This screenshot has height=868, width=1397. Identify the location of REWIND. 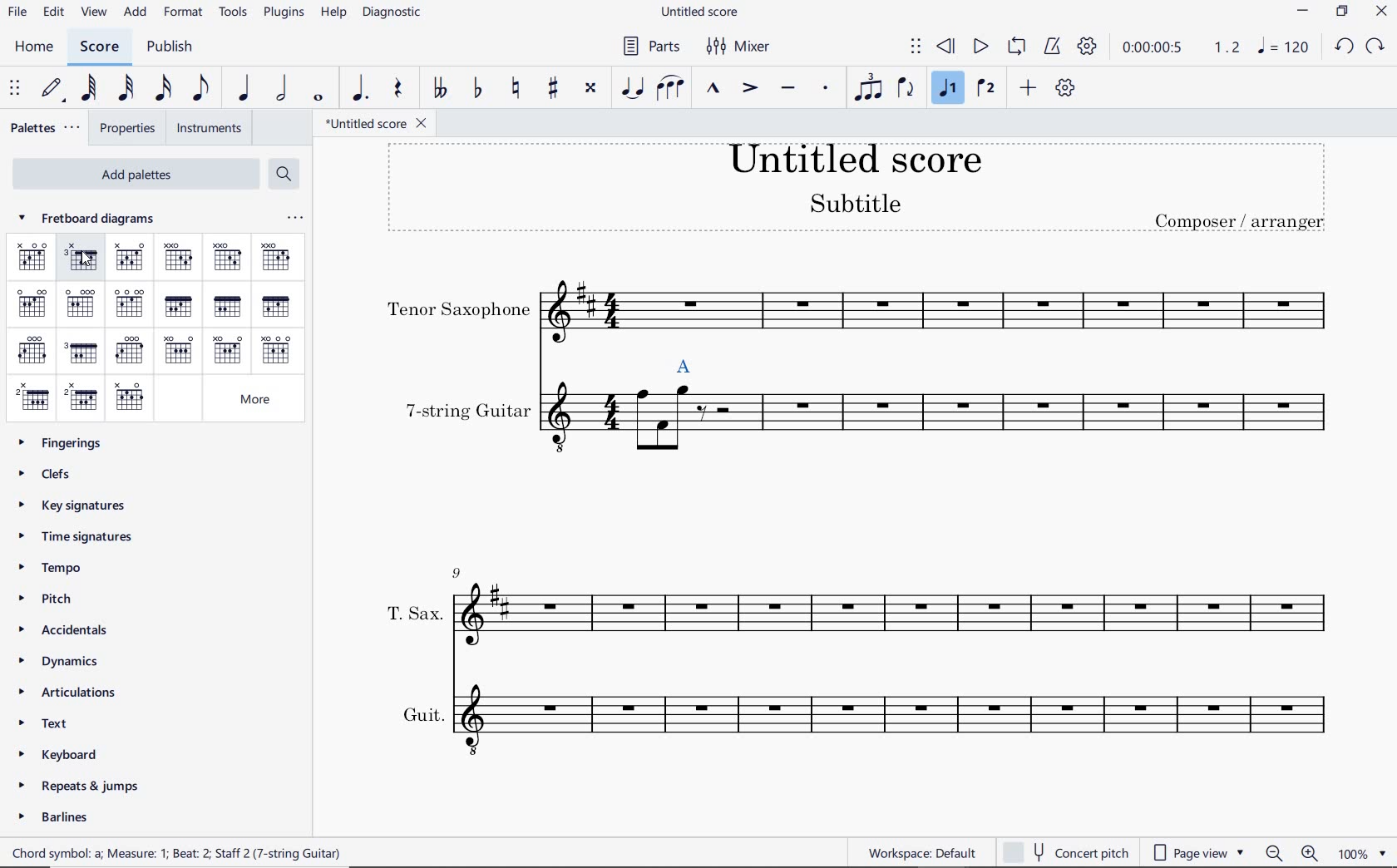
(945, 46).